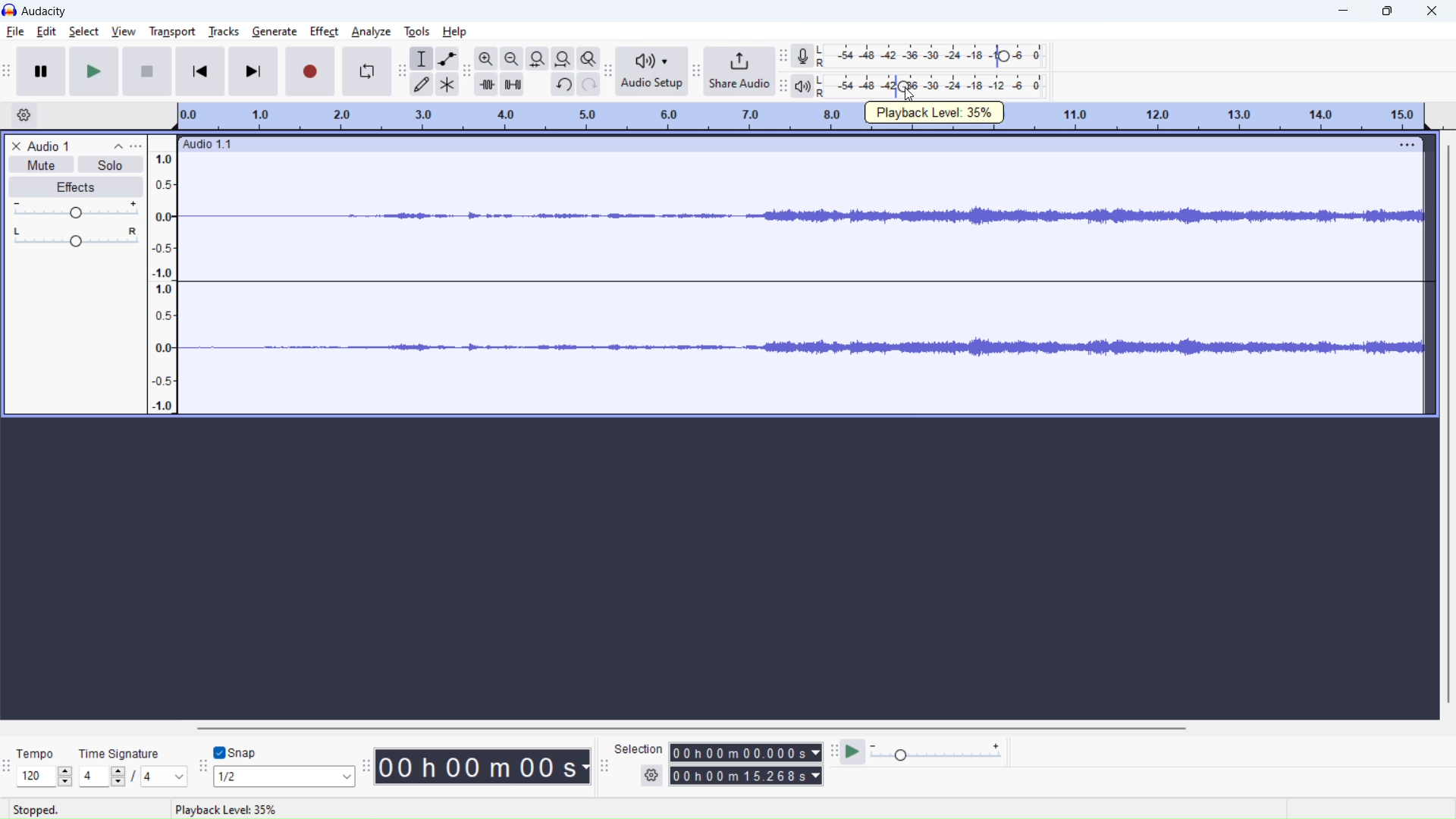 Image resolution: width=1456 pixels, height=819 pixels. I want to click on generate, so click(275, 31).